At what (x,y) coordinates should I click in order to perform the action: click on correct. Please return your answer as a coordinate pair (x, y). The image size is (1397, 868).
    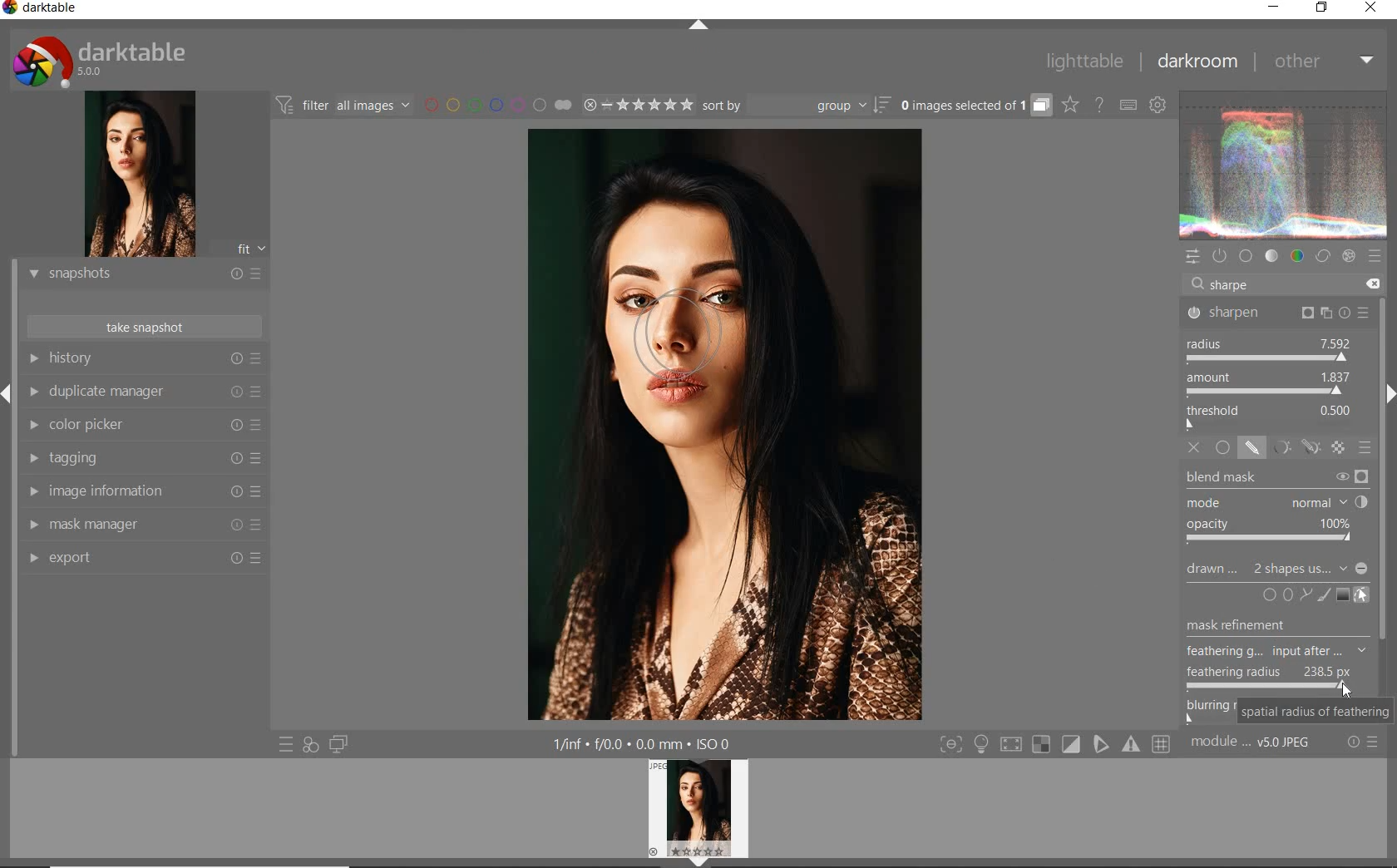
    Looking at the image, I should click on (1323, 257).